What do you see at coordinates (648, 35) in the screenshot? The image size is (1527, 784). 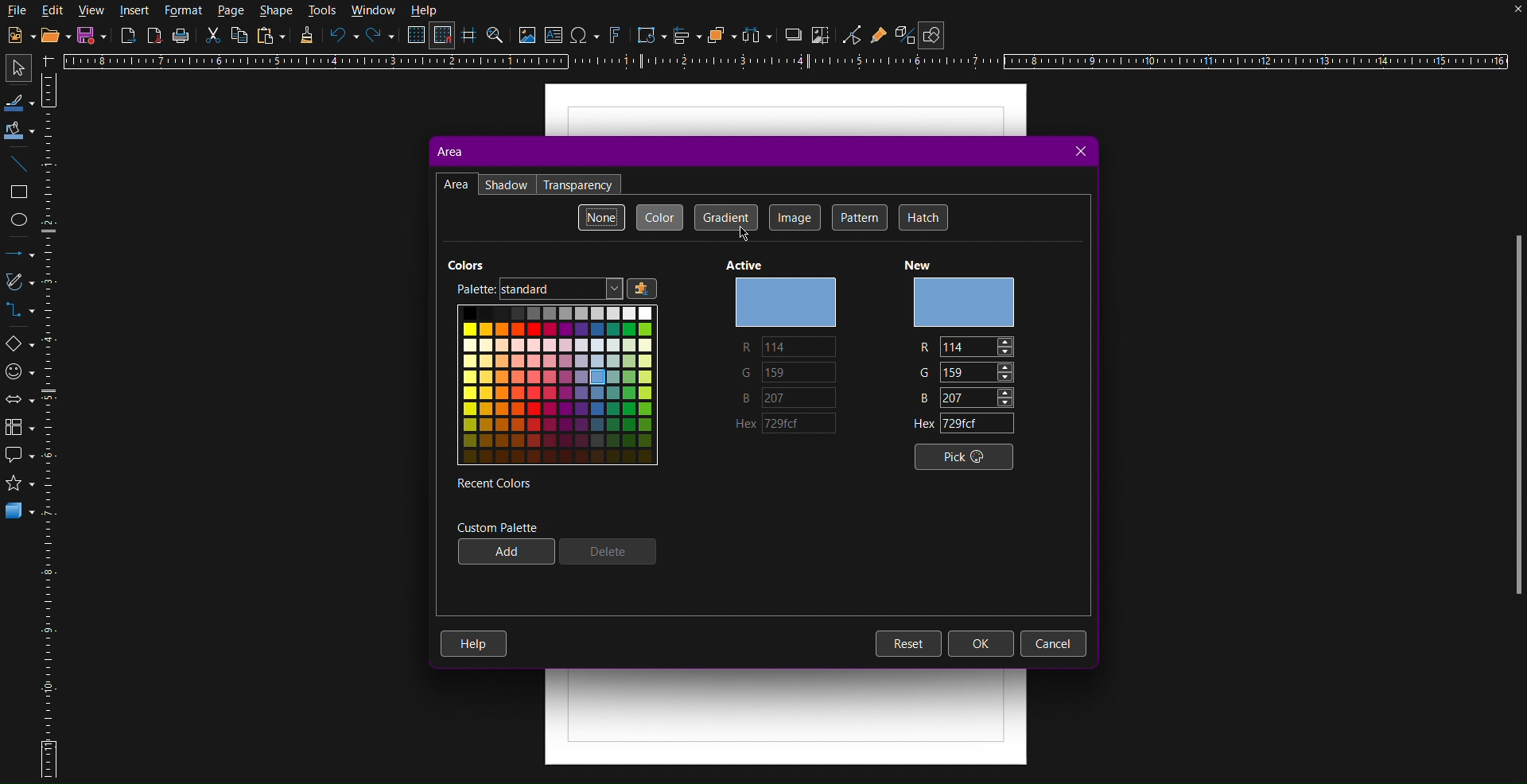 I see `Transformations` at bounding box center [648, 35].